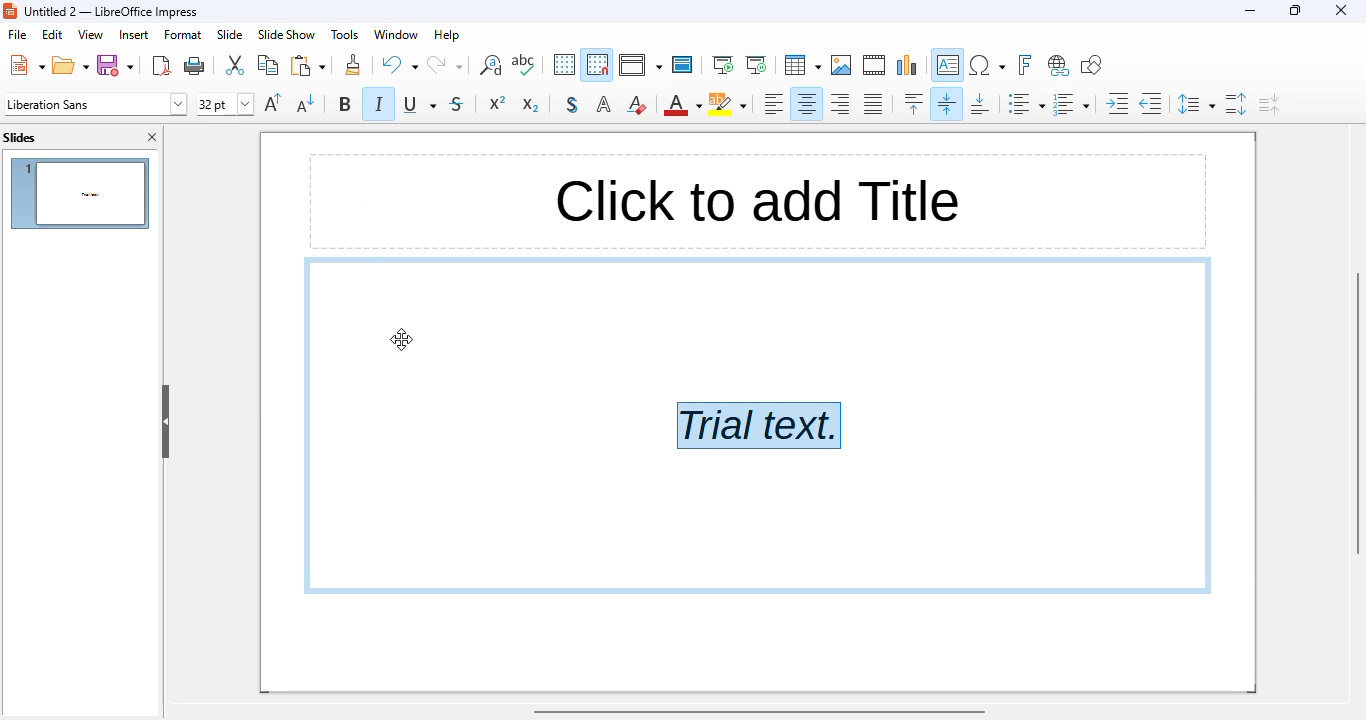  Describe the element at coordinates (497, 103) in the screenshot. I see `superscript` at that location.